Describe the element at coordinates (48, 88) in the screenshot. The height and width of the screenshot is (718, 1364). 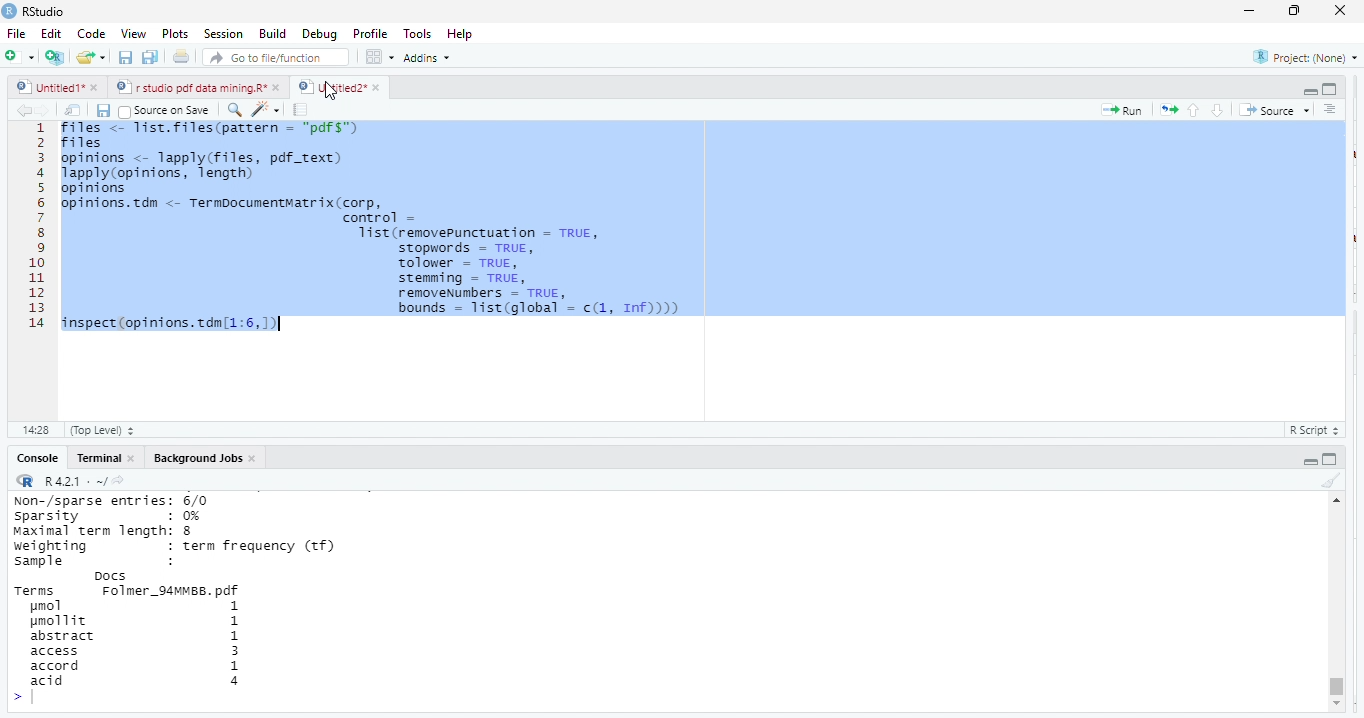
I see `untitled1` at that location.